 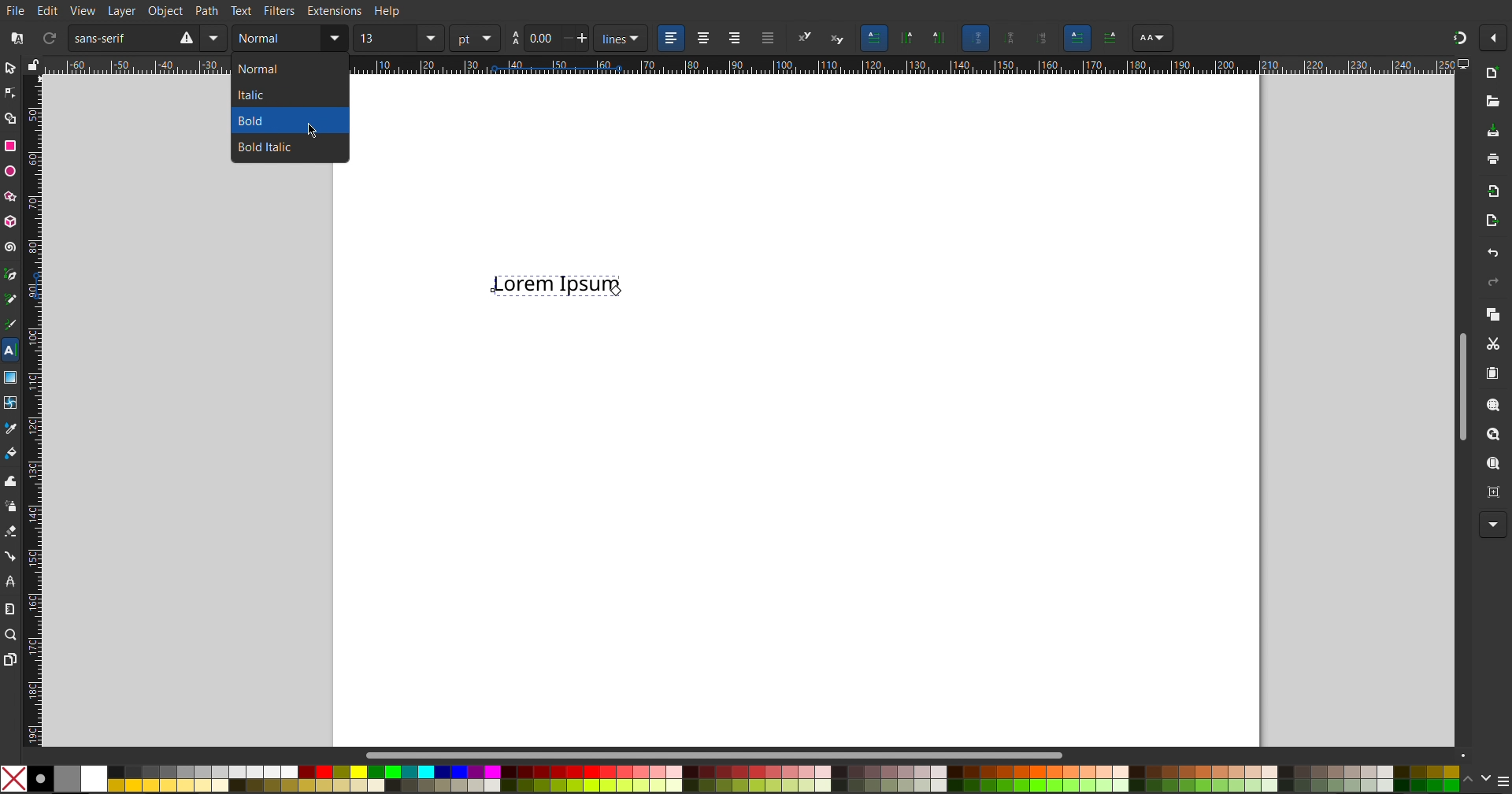 I want to click on Horizontal Text, so click(x=874, y=38).